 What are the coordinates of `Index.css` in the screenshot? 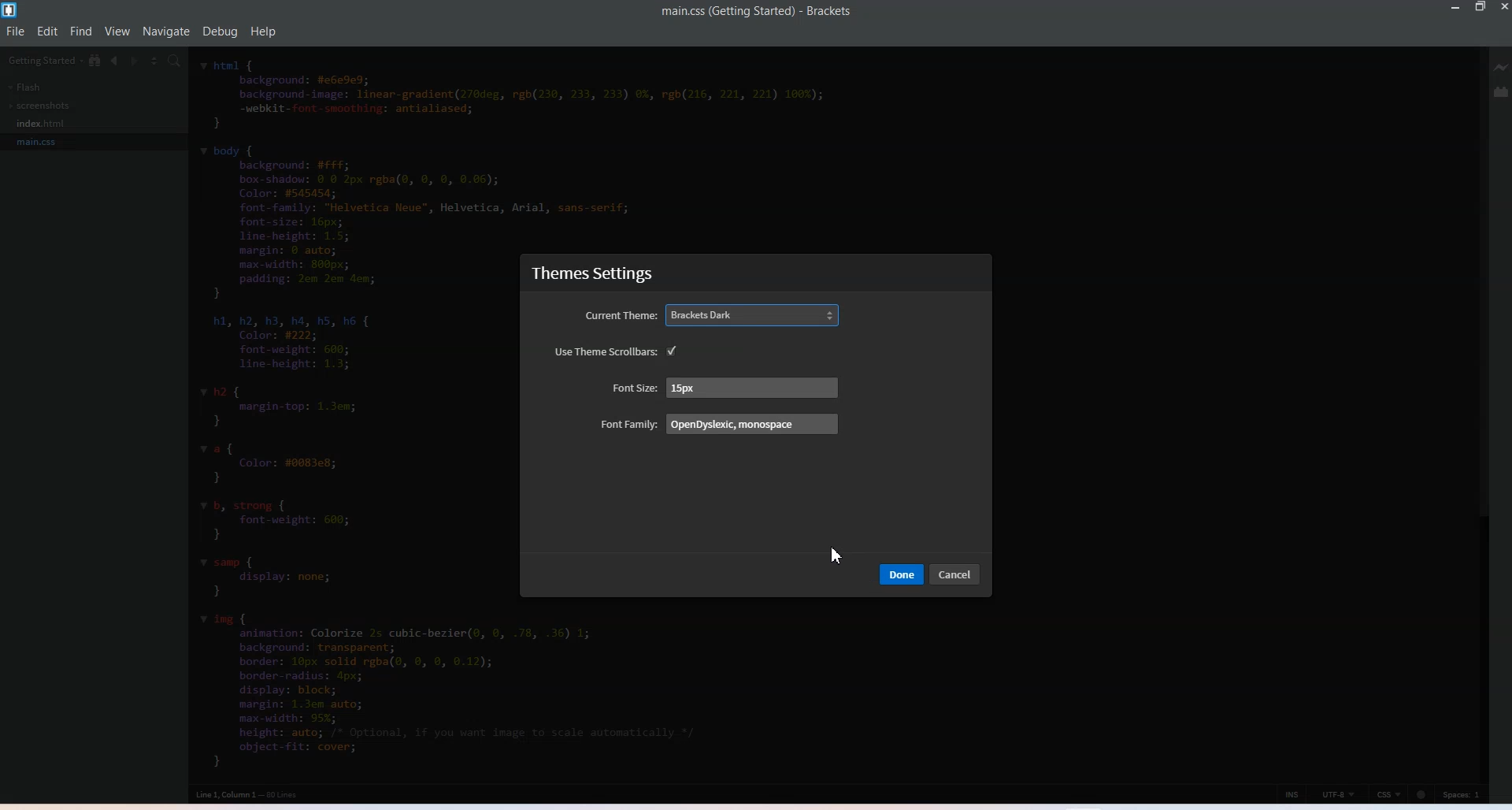 It's located at (44, 122).